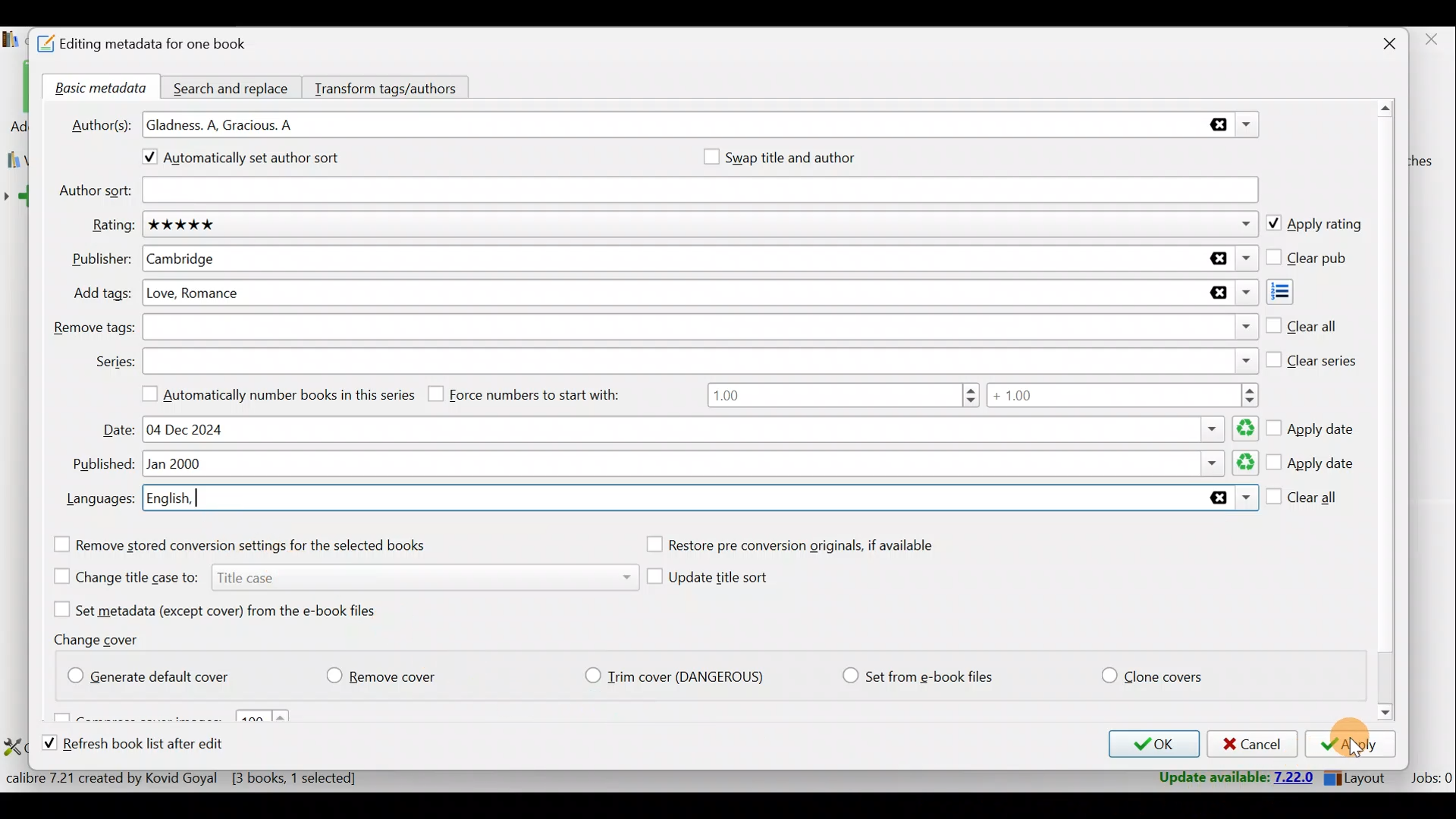 This screenshot has height=819, width=1456. I want to click on Publisher, so click(699, 260).